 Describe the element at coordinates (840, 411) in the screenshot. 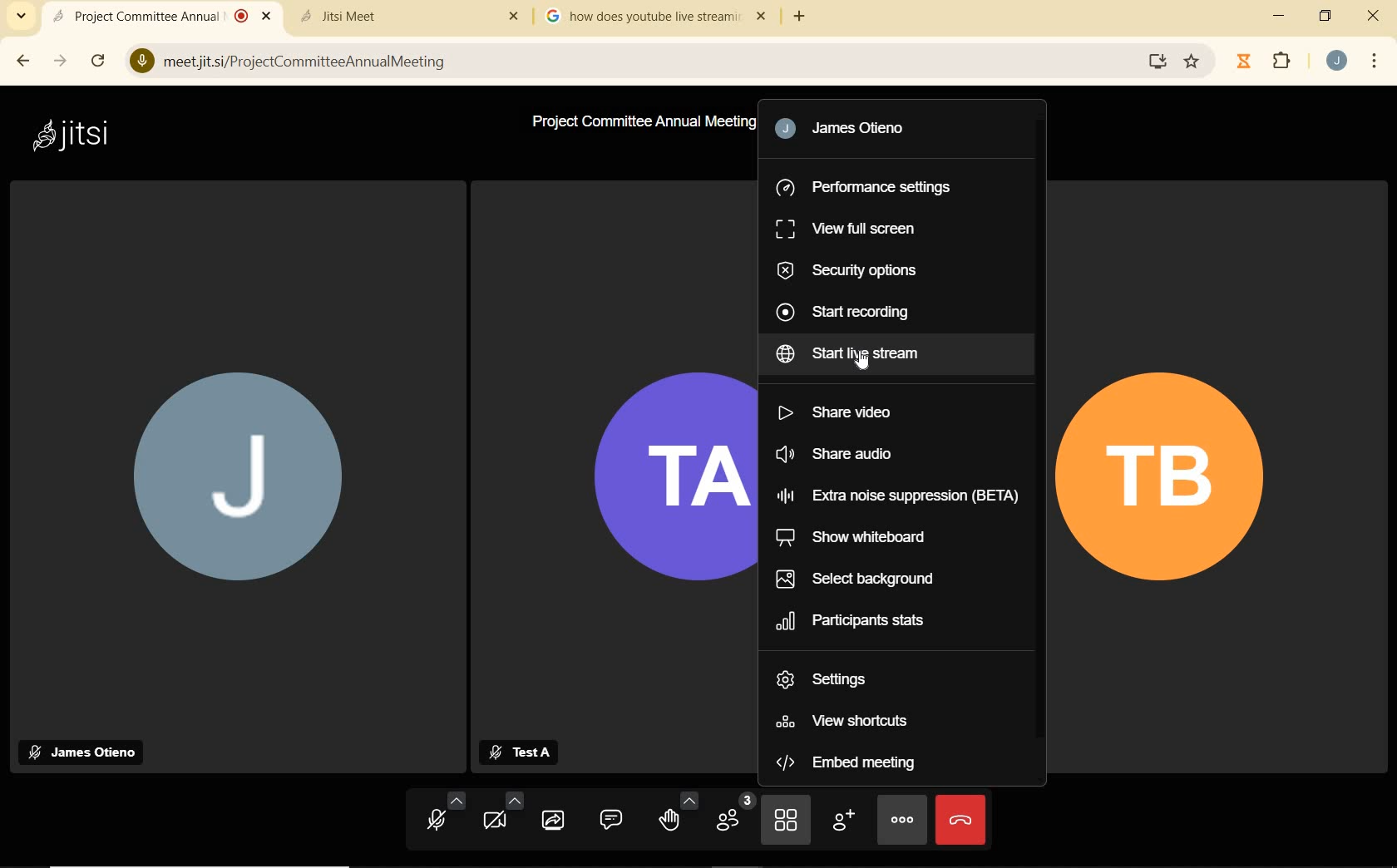

I see `share video` at that location.